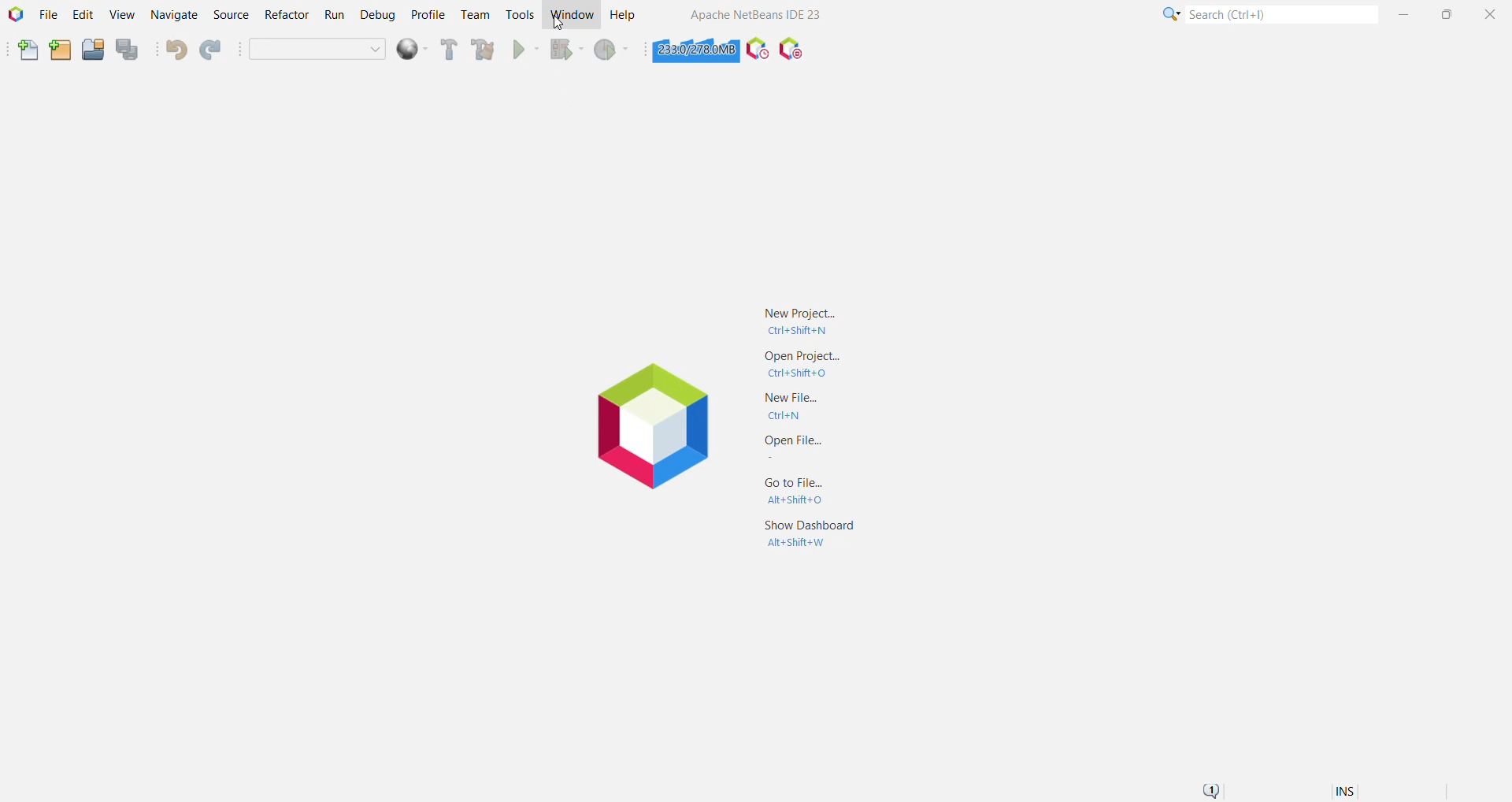  I want to click on Clean and build Project, so click(482, 50).